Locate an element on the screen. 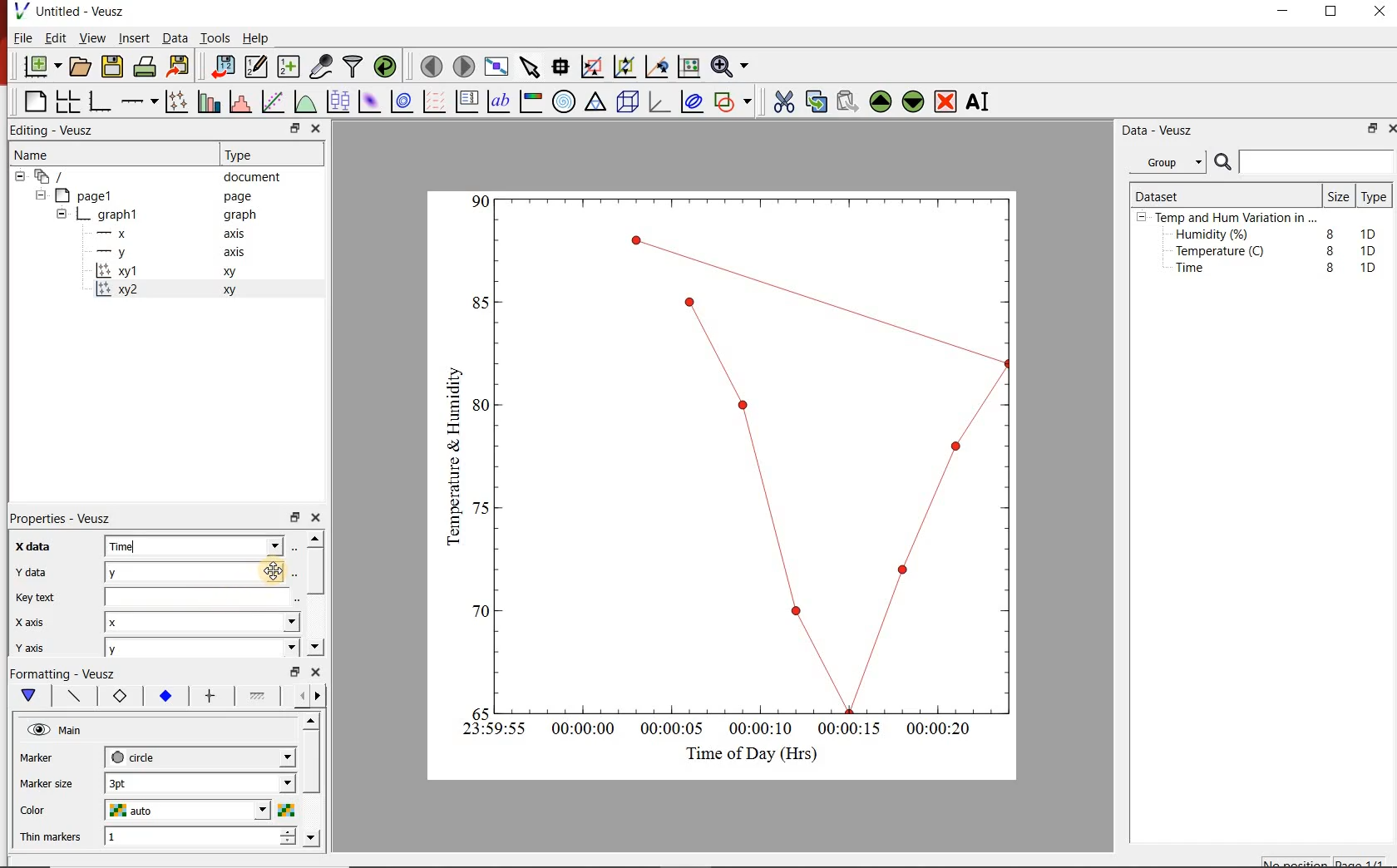 Image resolution: width=1397 pixels, height=868 pixels. view plot full screen is located at coordinates (497, 67).